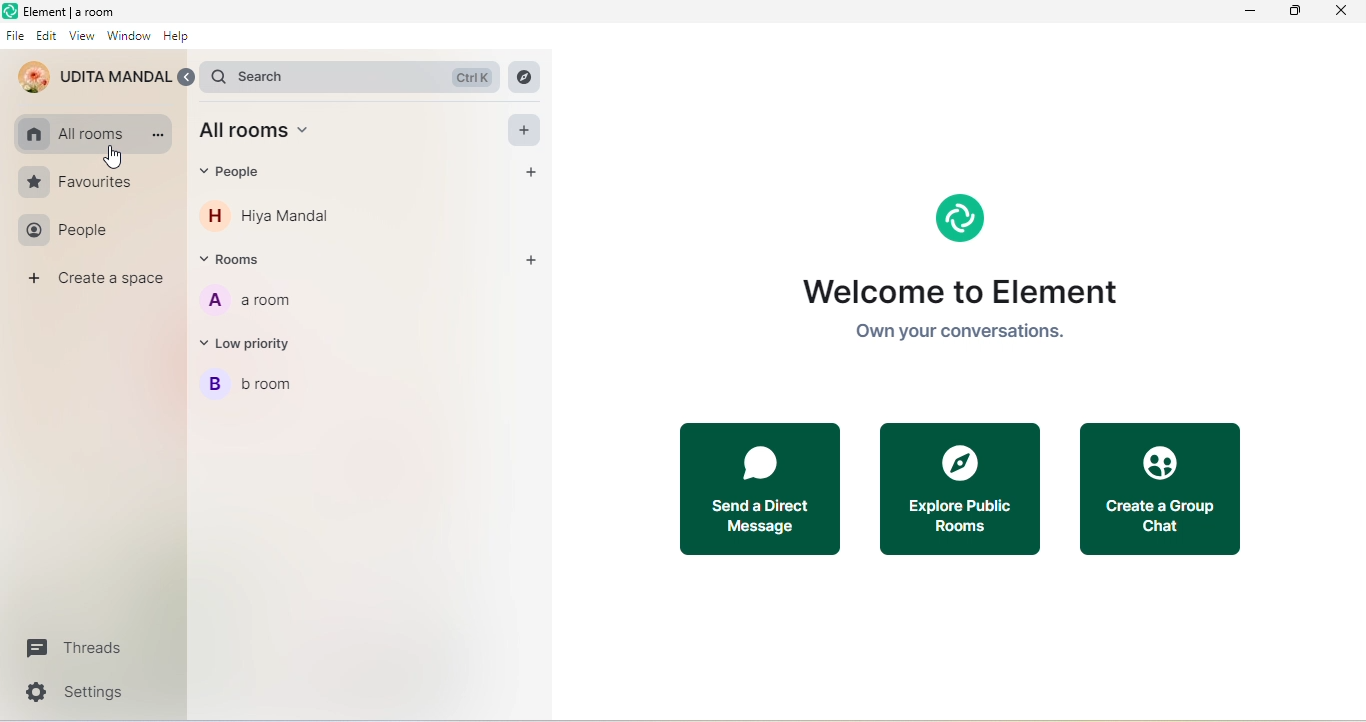 The image size is (1366, 722). Describe the element at coordinates (92, 76) in the screenshot. I see `UDITA MANDAL` at that location.